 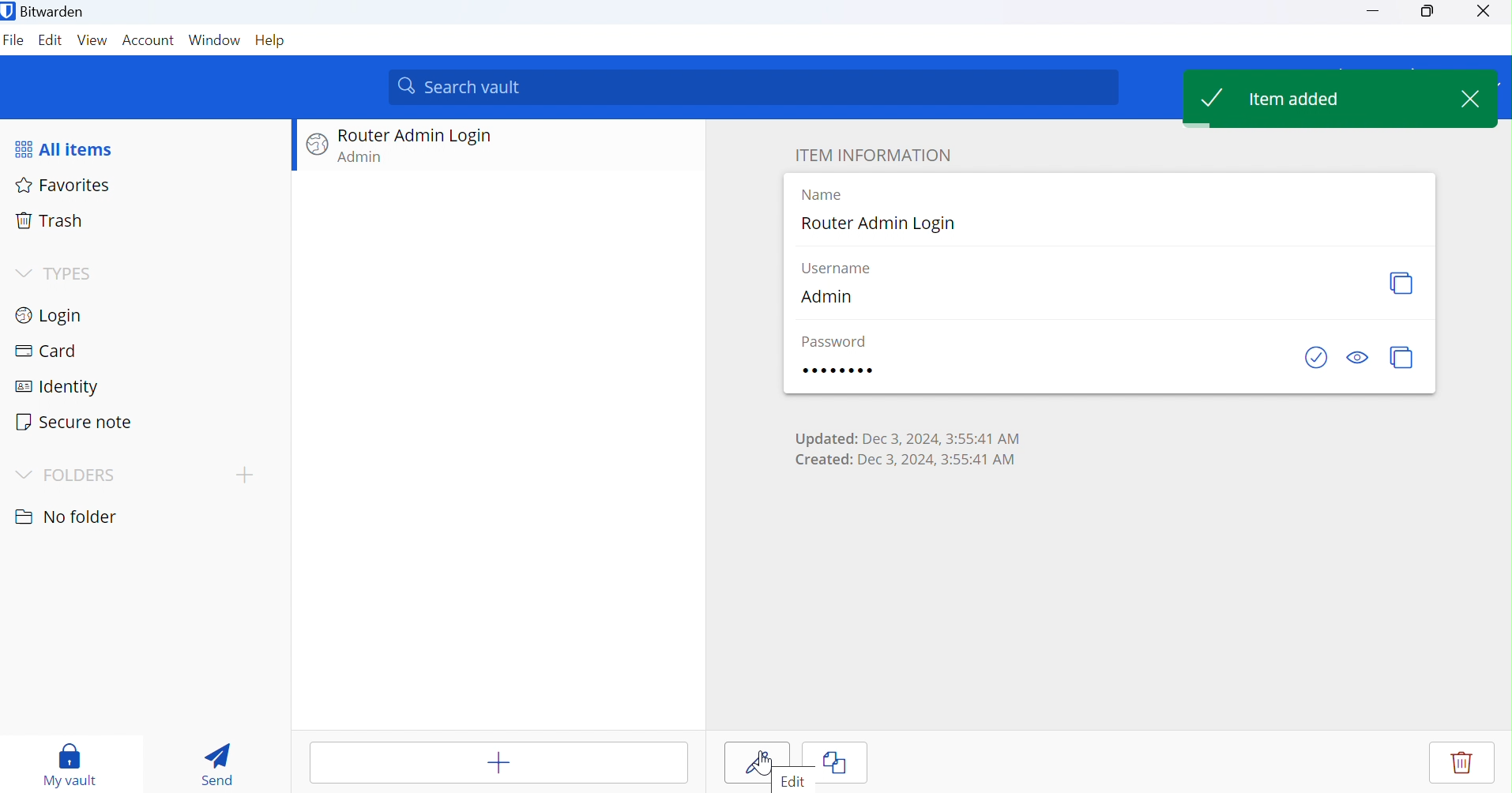 What do you see at coordinates (149, 41) in the screenshot?
I see `Account` at bounding box center [149, 41].